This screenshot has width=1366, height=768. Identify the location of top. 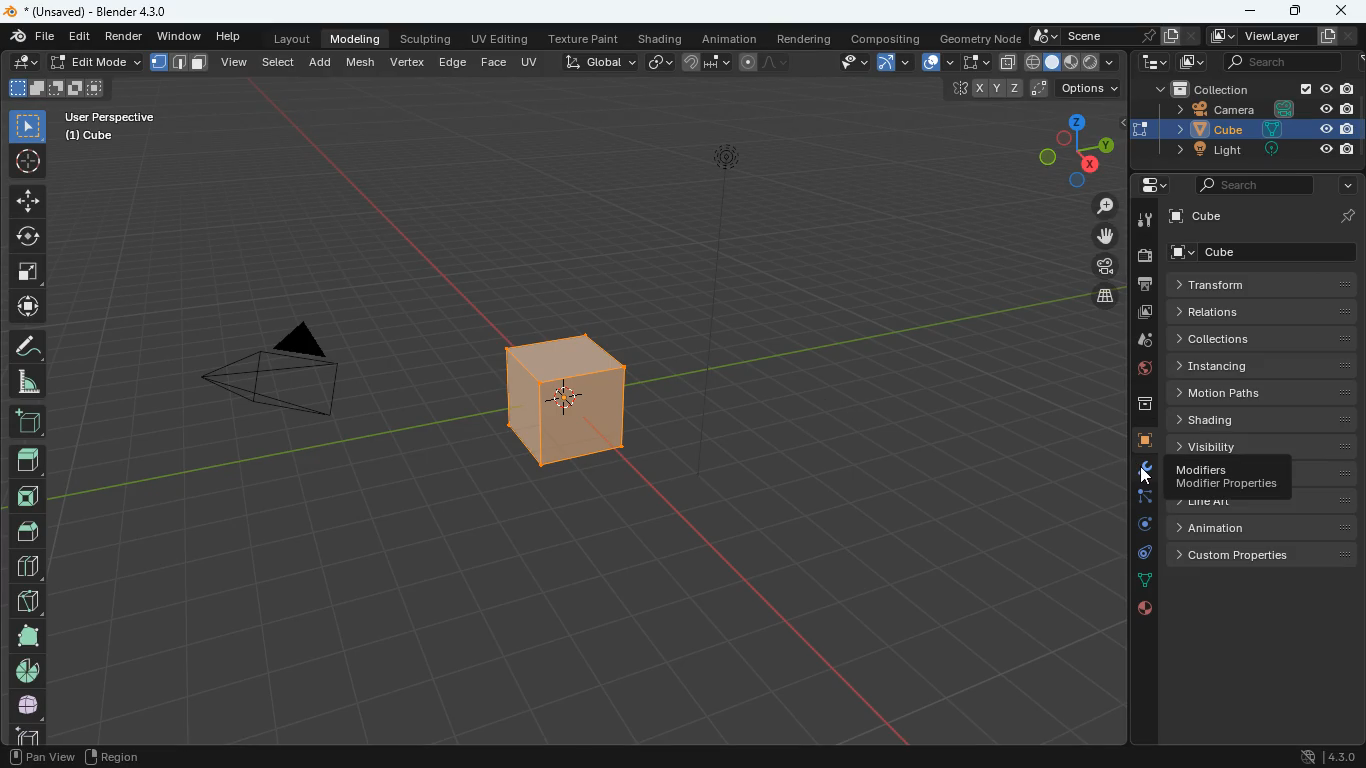
(29, 529).